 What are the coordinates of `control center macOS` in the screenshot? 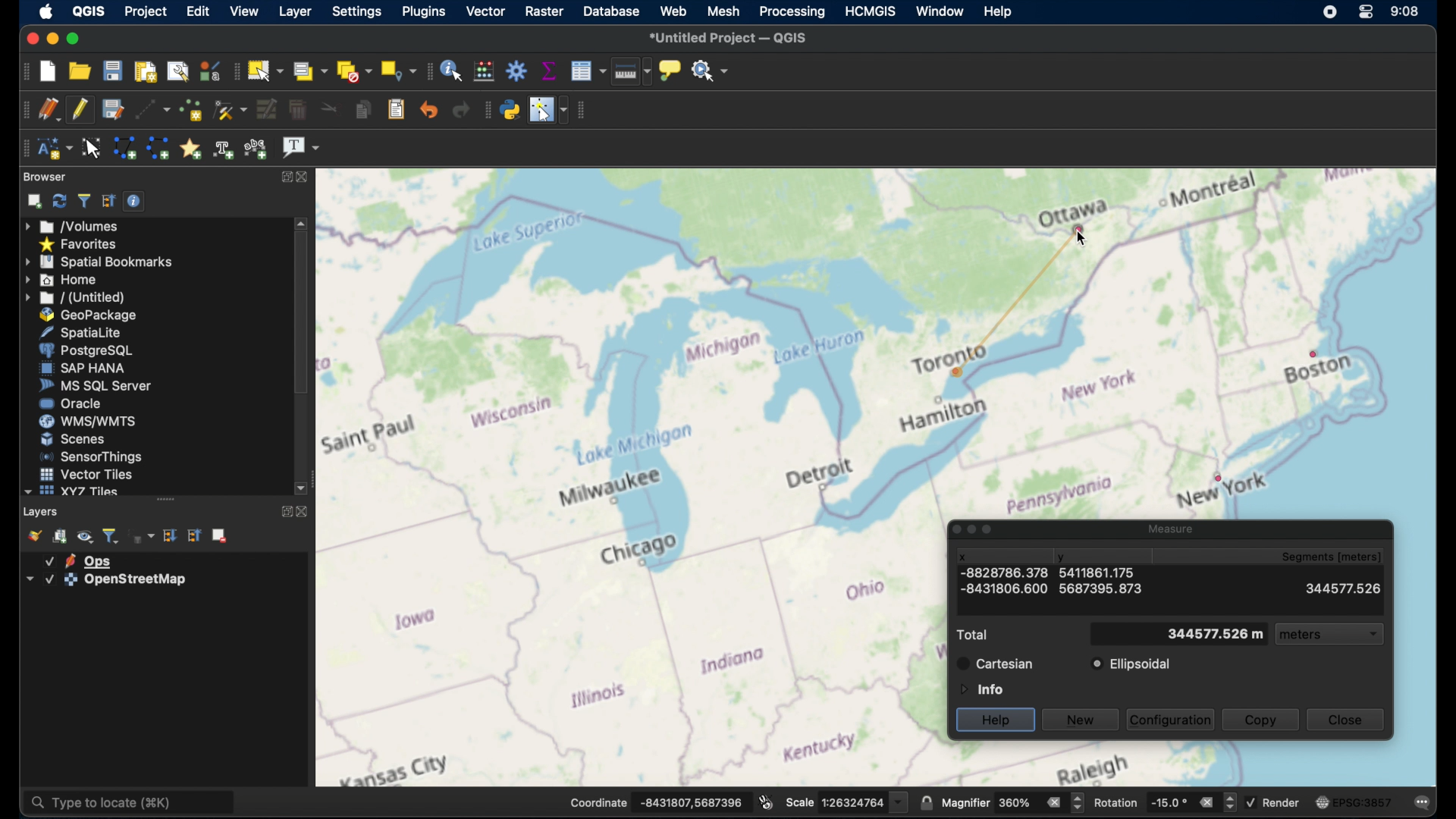 It's located at (1364, 13).